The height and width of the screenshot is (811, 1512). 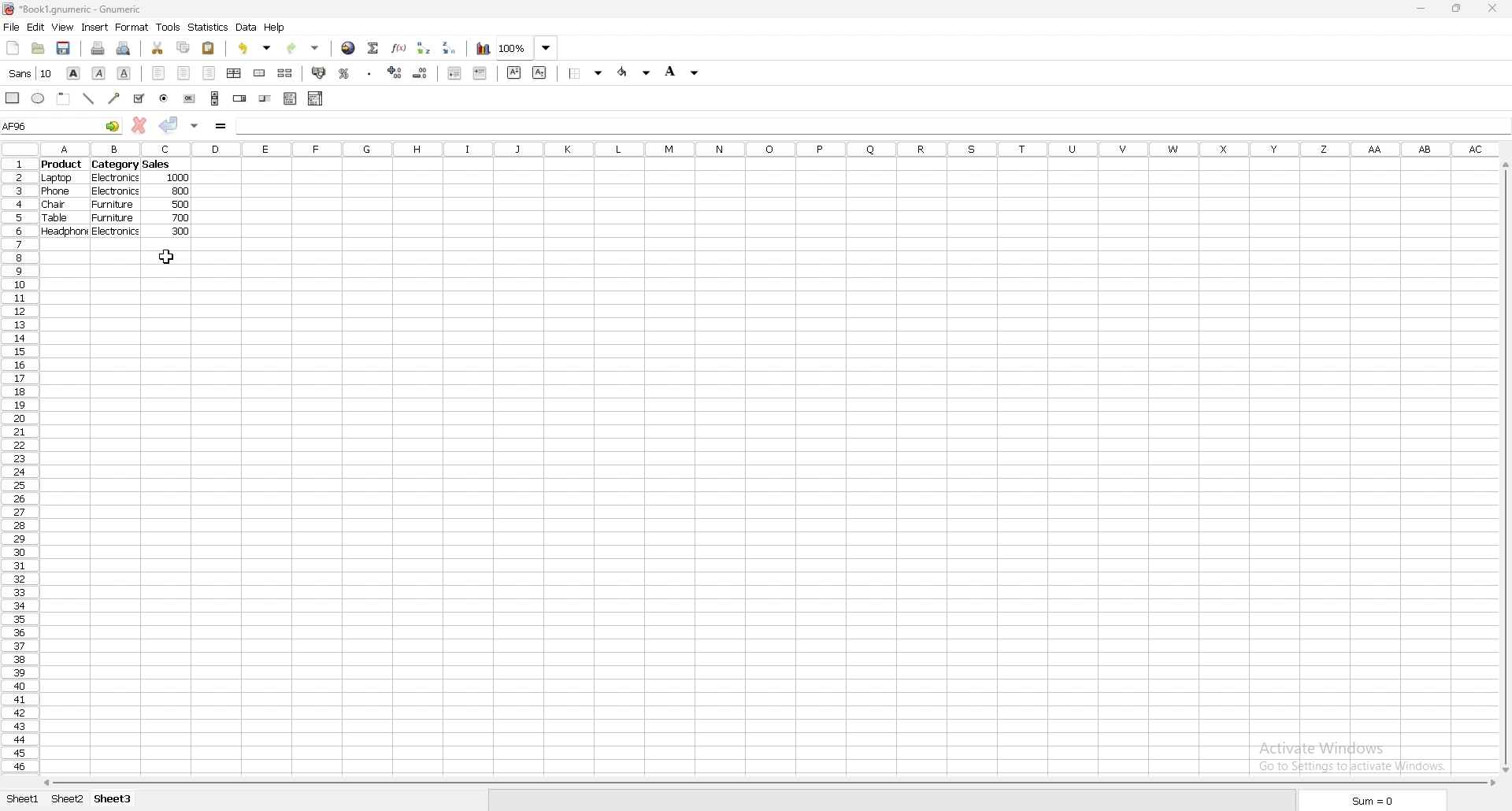 I want to click on subscript, so click(x=539, y=73).